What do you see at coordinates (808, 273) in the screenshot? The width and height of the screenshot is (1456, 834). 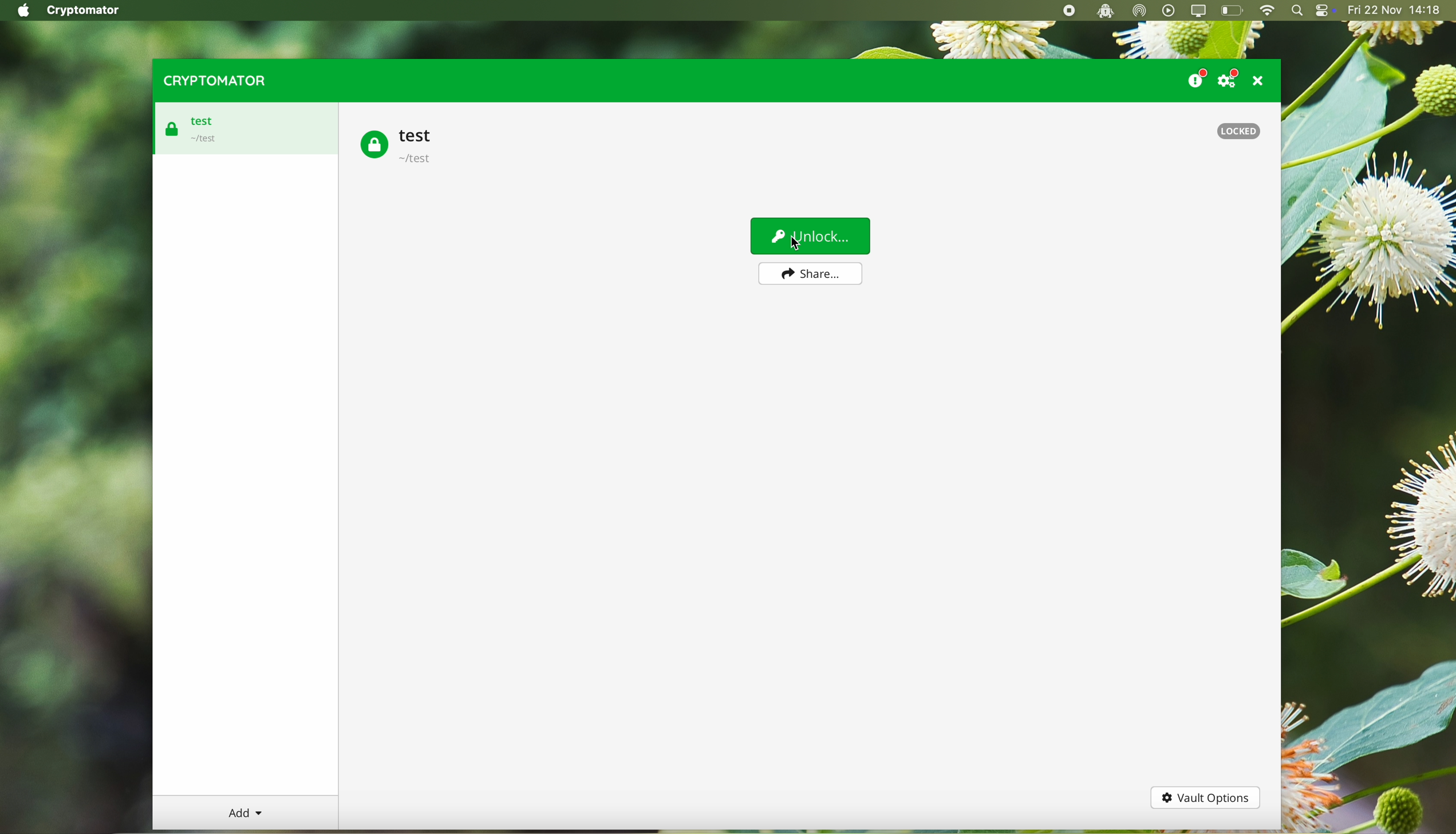 I see `share` at bounding box center [808, 273].